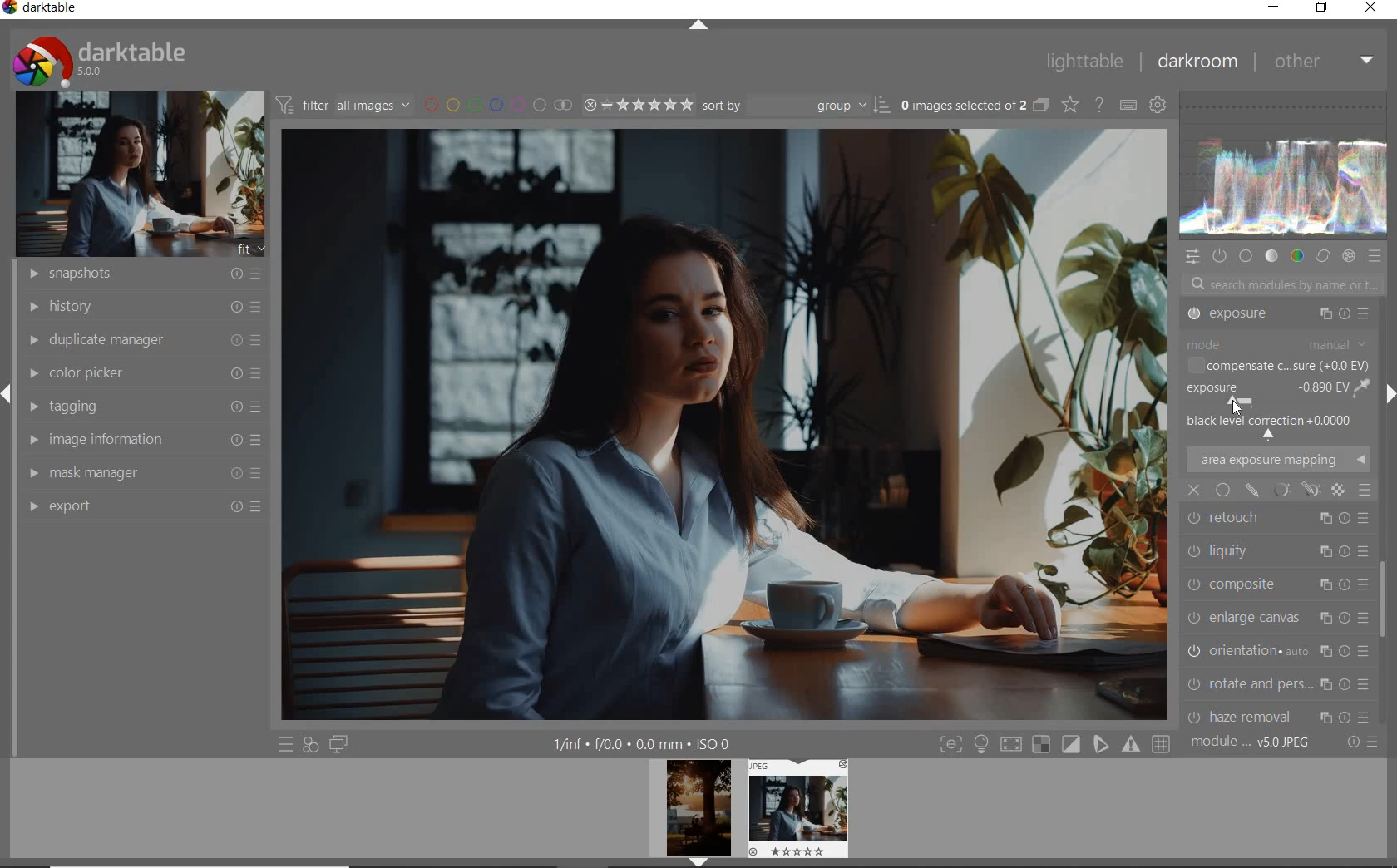  What do you see at coordinates (146, 273) in the screenshot?
I see `SNAPSHOTS` at bounding box center [146, 273].